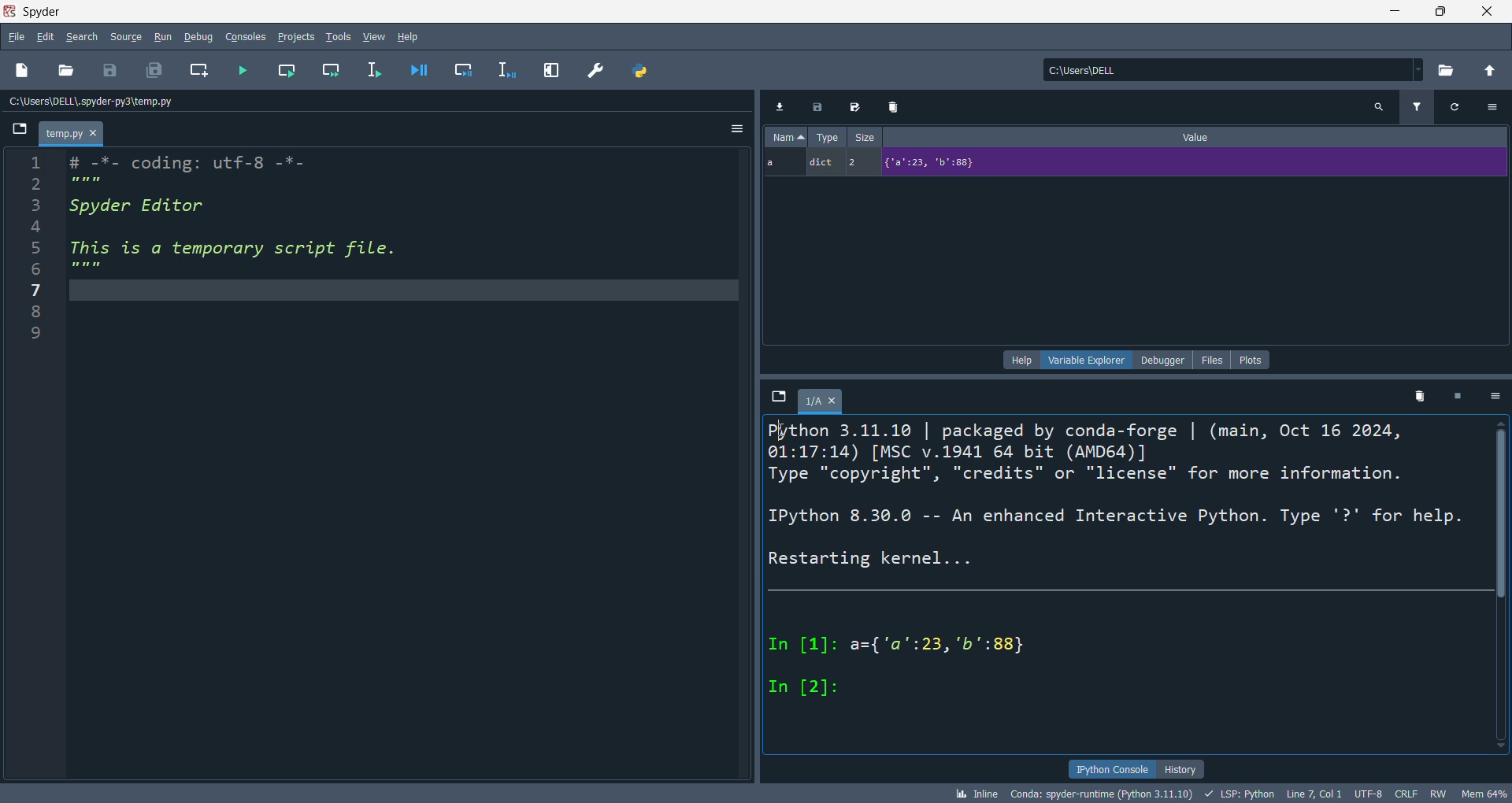 This screenshot has width=1512, height=803. I want to click on open parent directory, so click(1492, 72).